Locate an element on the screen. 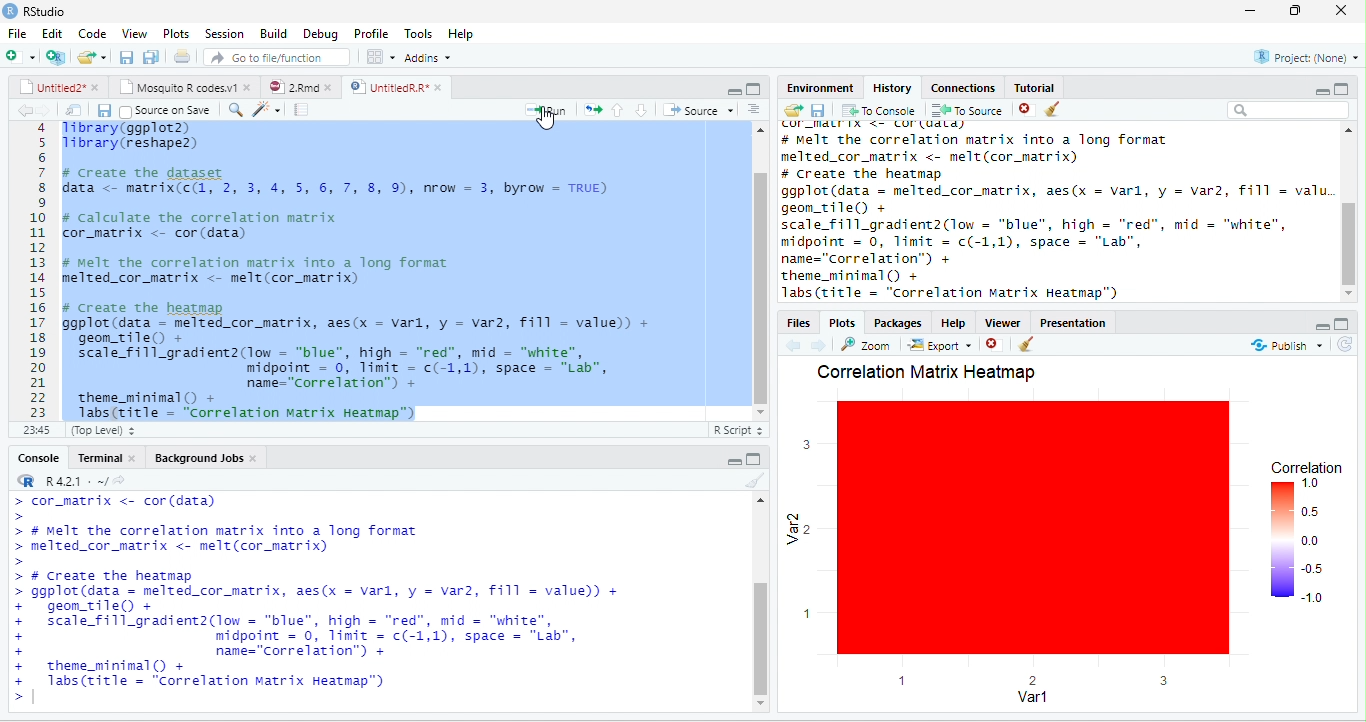 Image resolution: width=1366 pixels, height=722 pixels. files is located at coordinates (69, 108).